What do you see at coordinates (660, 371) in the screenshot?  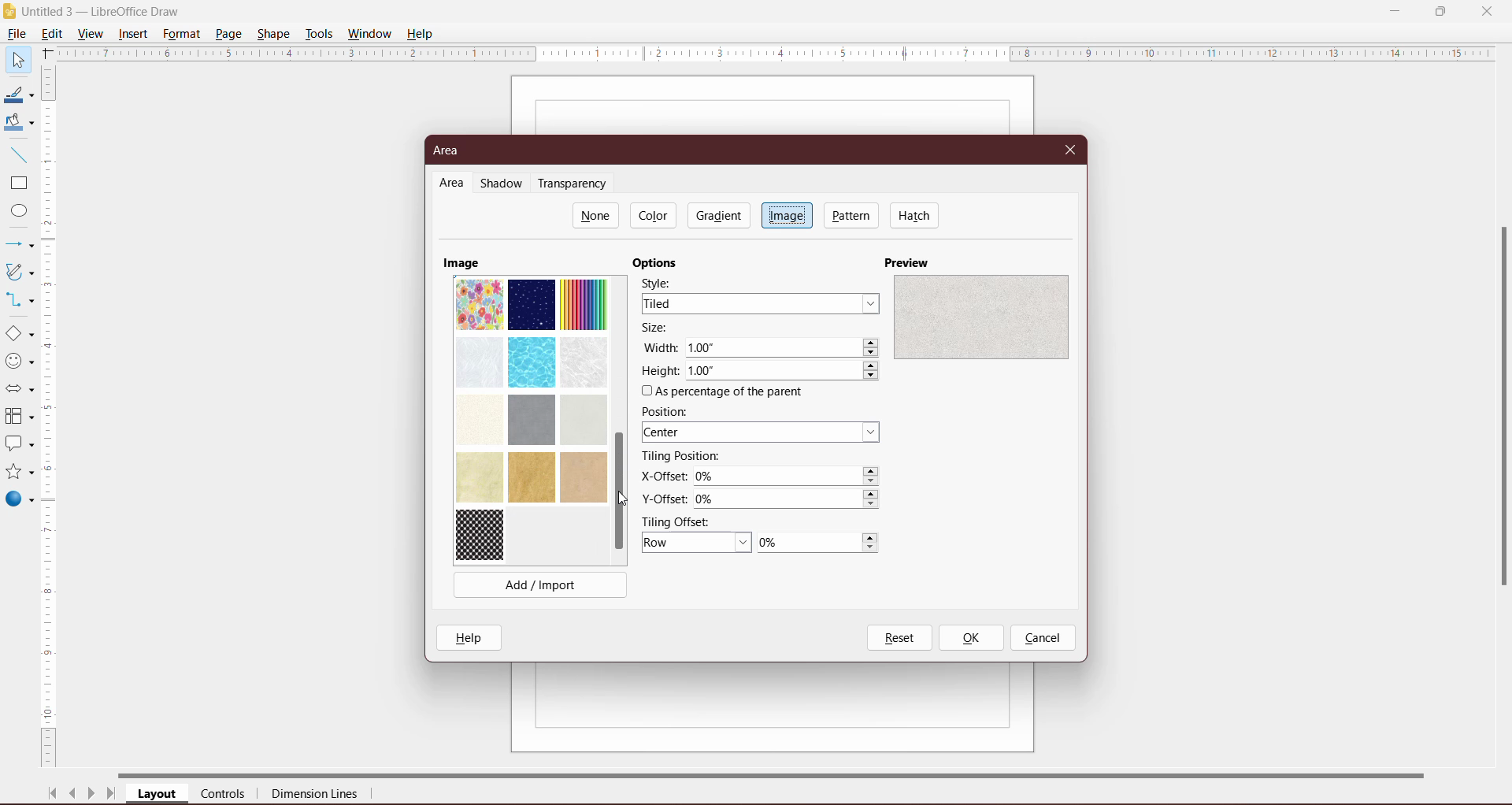 I see `Height` at bounding box center [660, 371].